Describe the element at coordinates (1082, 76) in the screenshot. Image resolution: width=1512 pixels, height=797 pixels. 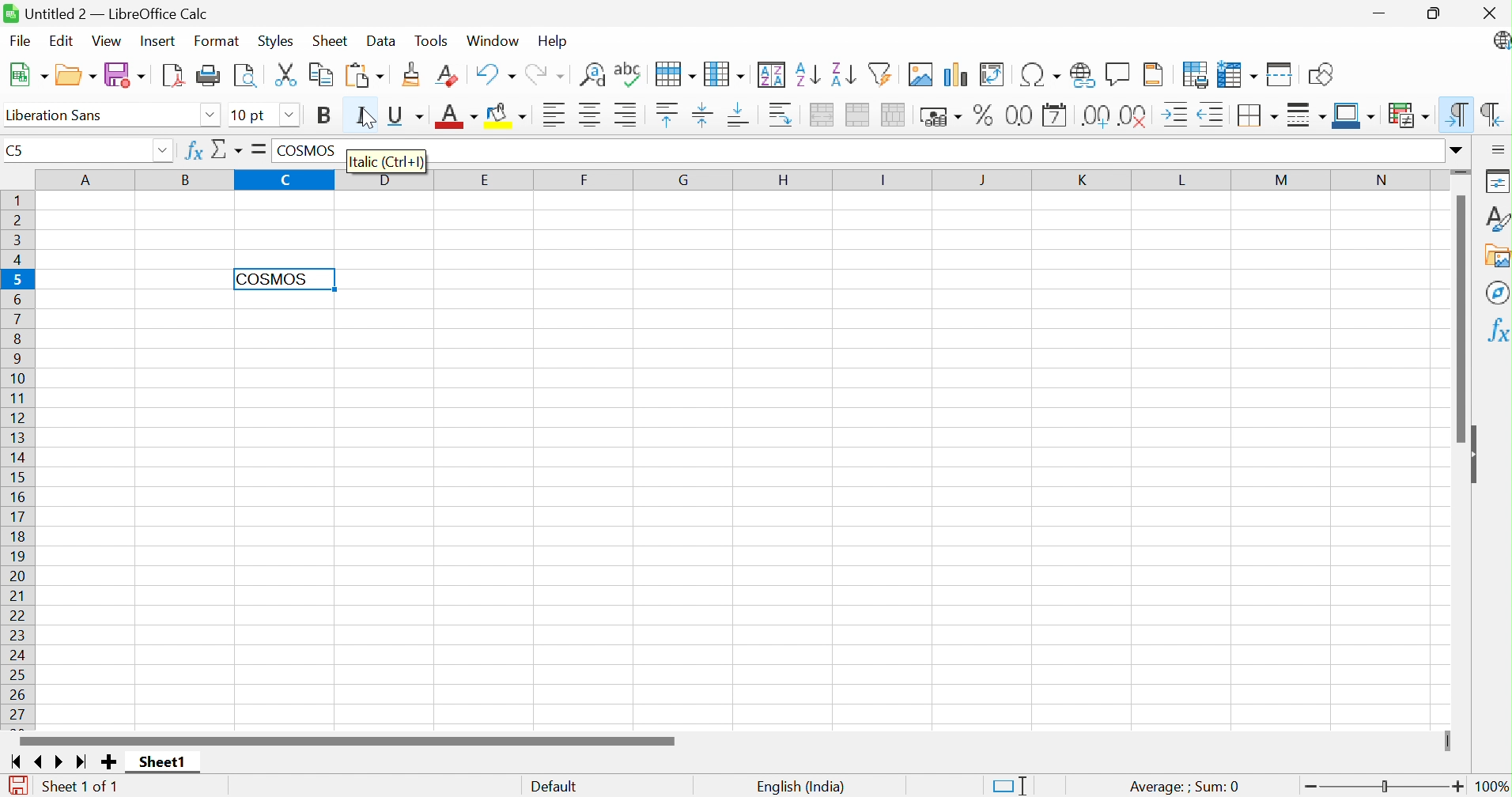
I see `Insert hyperlink` at that location.